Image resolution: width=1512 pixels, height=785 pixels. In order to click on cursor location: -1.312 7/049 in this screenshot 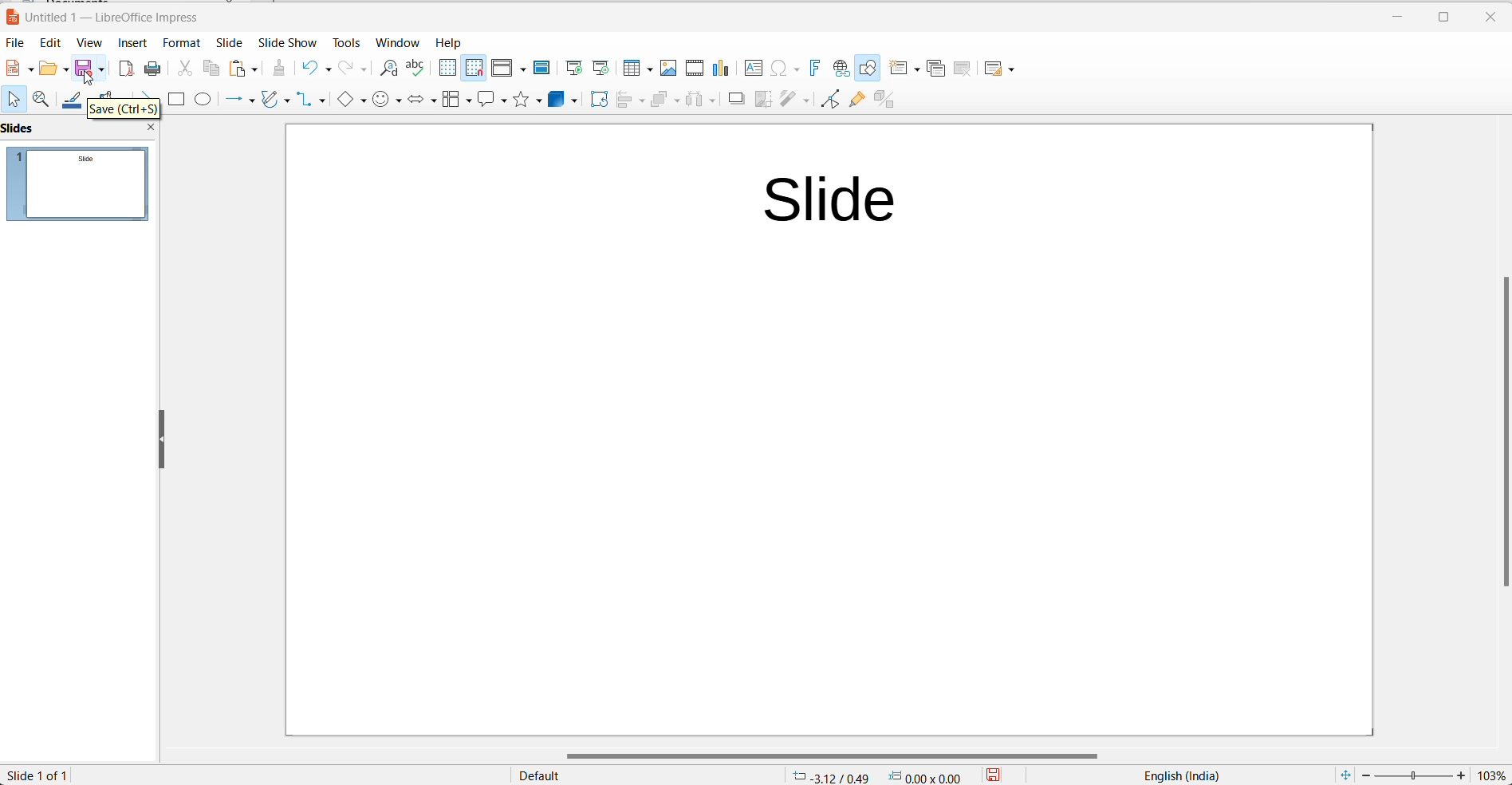, I will do `click(828, 776)`.